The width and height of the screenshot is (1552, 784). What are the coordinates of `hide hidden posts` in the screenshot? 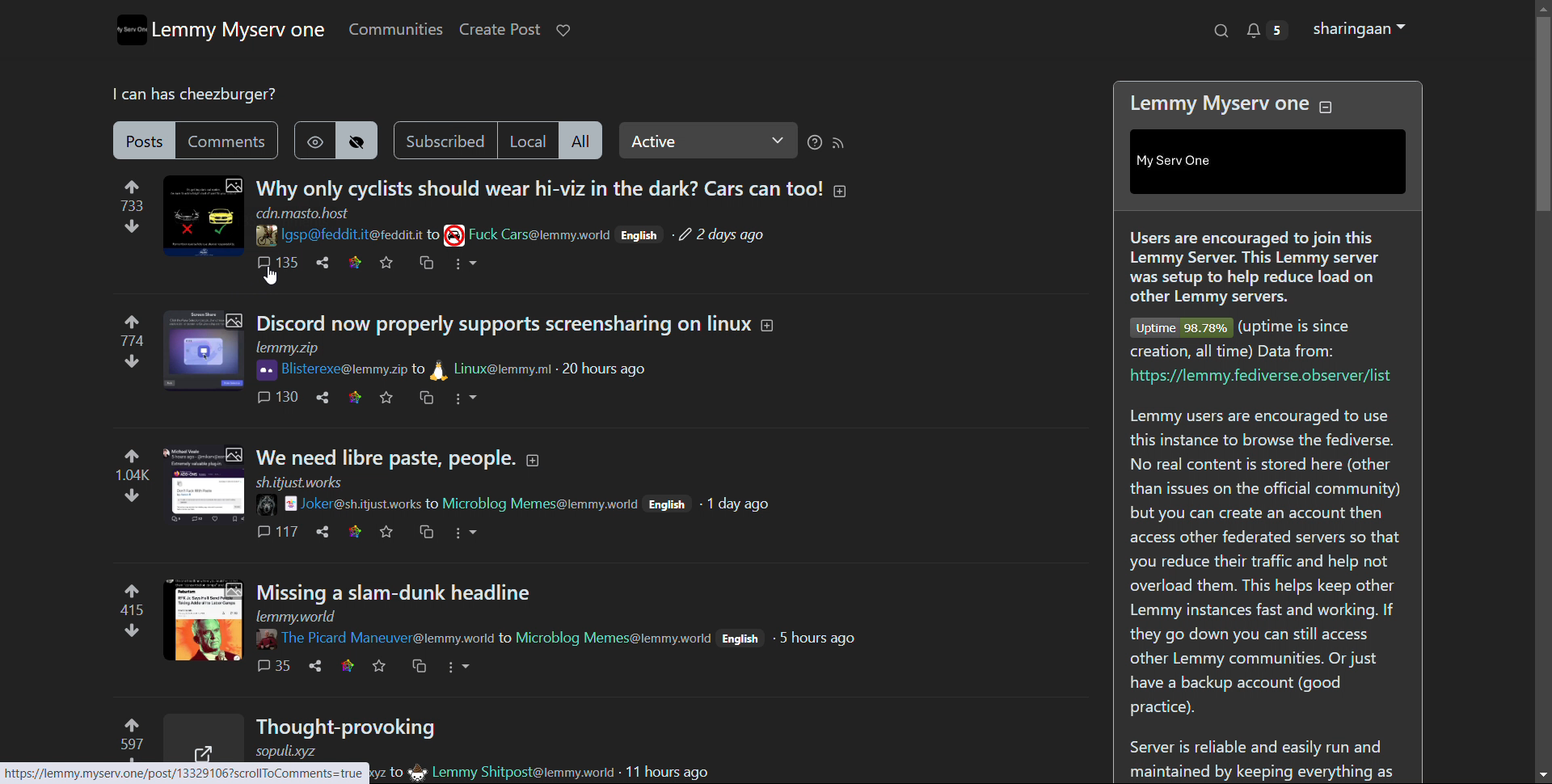 It's located at (357, 141).